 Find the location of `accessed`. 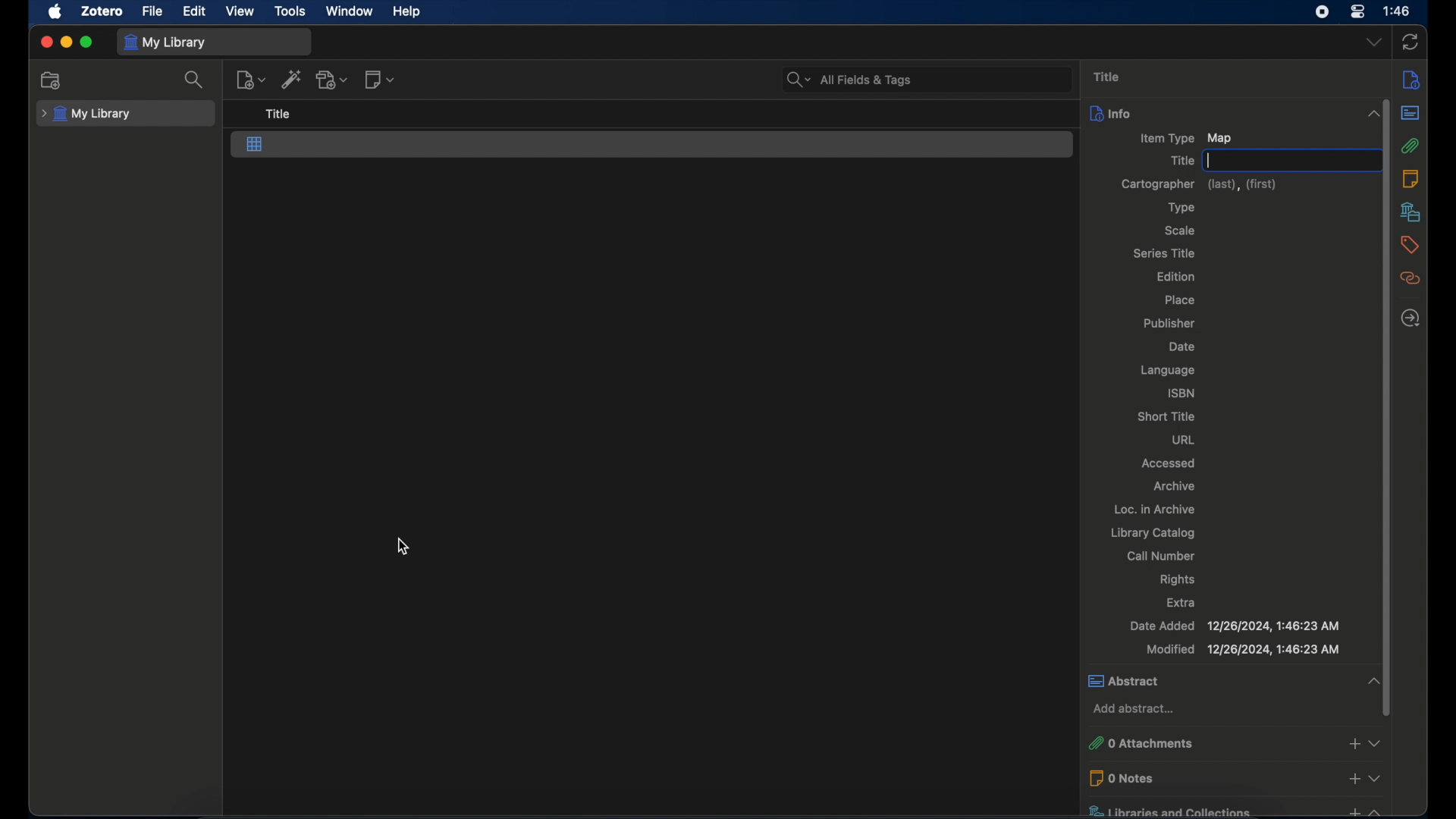

accessed is located at coordinates (1169, 462).